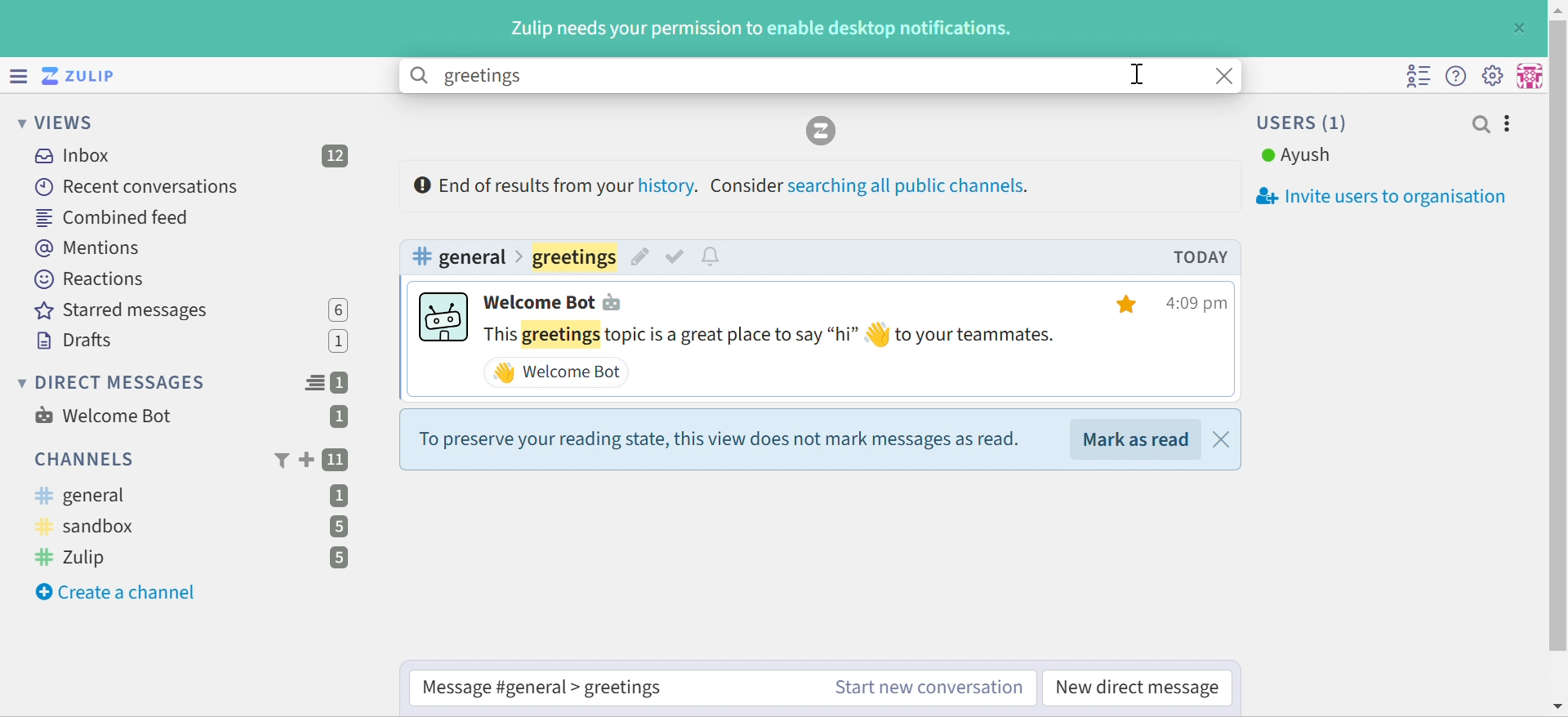  What do you see at coordinates (74, 341) in the screenshot?
I see `Drafts` at bounding box center [74, 341].